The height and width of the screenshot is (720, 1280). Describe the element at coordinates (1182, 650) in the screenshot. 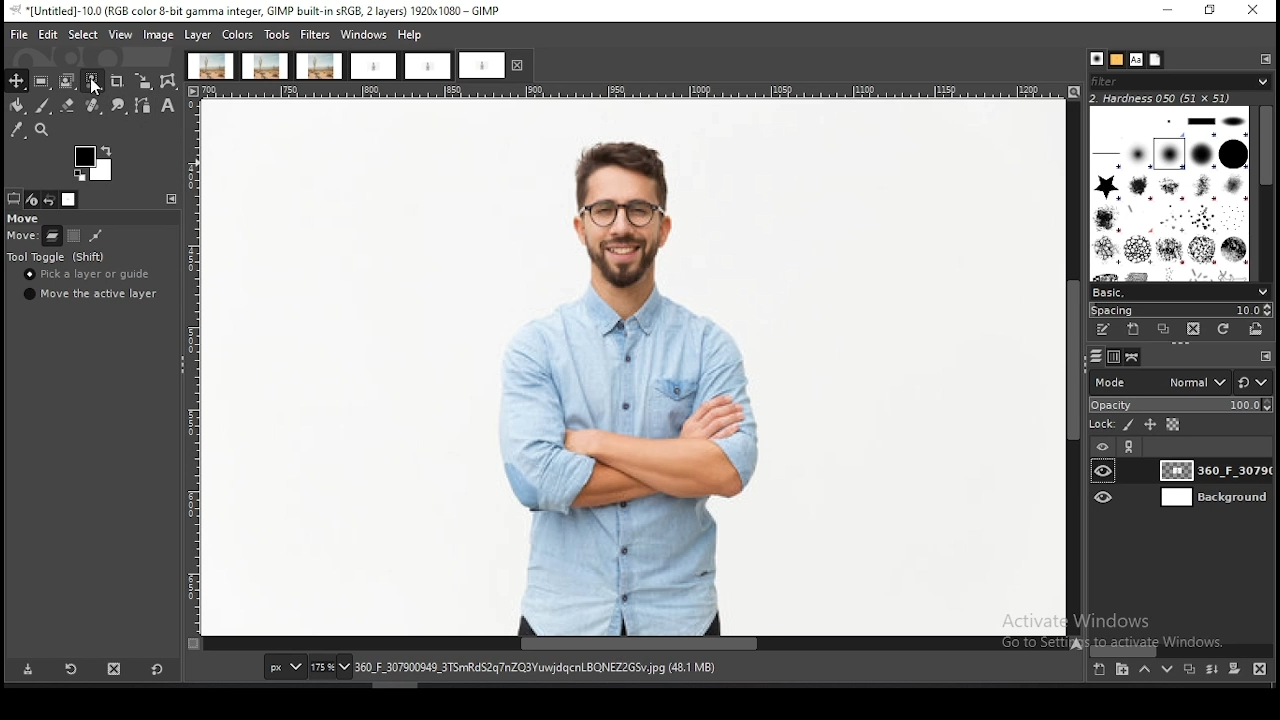

I see `scroll bar` at that location.